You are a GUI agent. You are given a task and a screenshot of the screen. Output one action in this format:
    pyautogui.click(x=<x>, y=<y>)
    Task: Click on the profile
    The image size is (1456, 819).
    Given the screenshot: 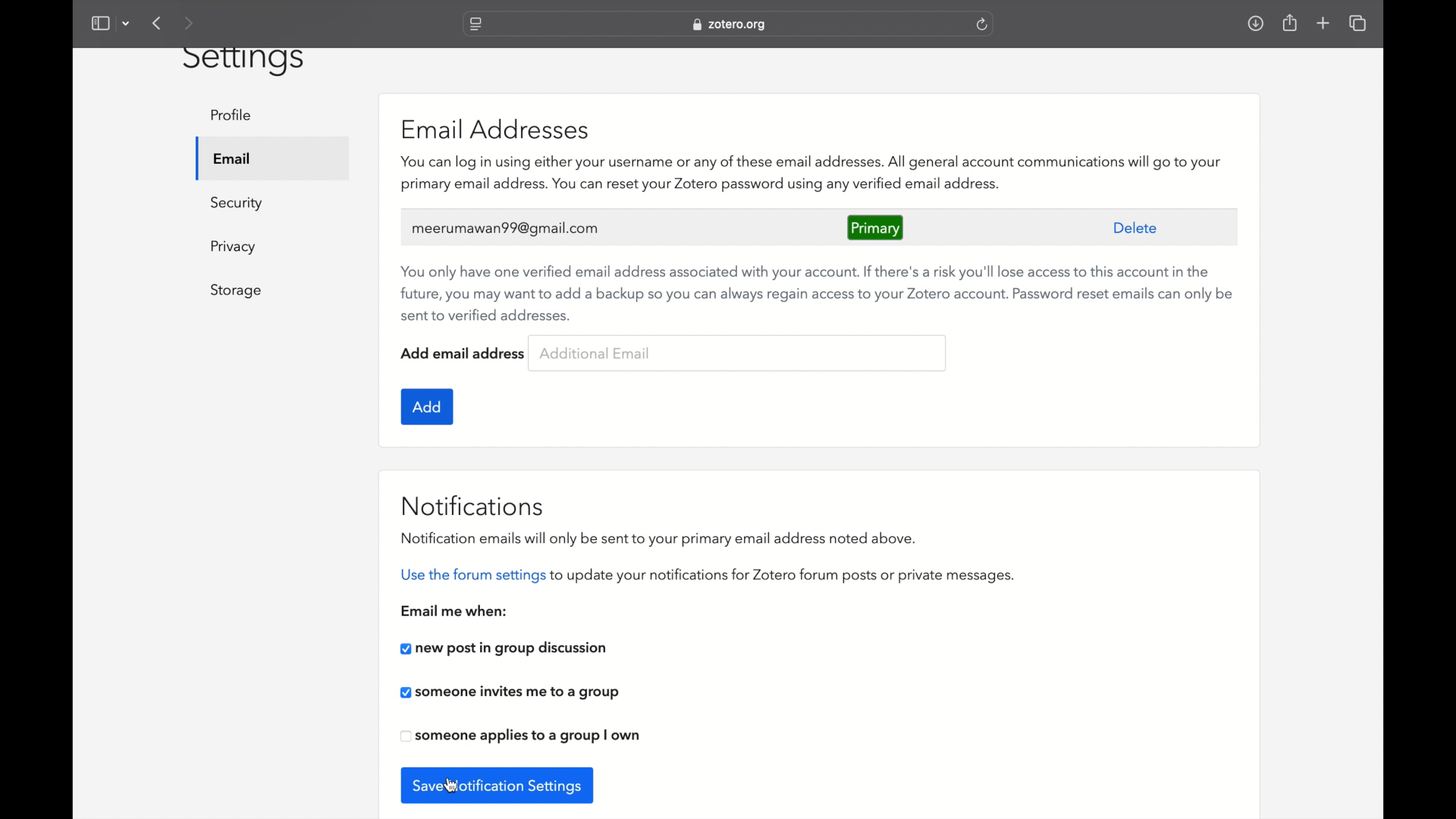 What is the action you would take?
    pyautogui.click(x=231, y=116)
    